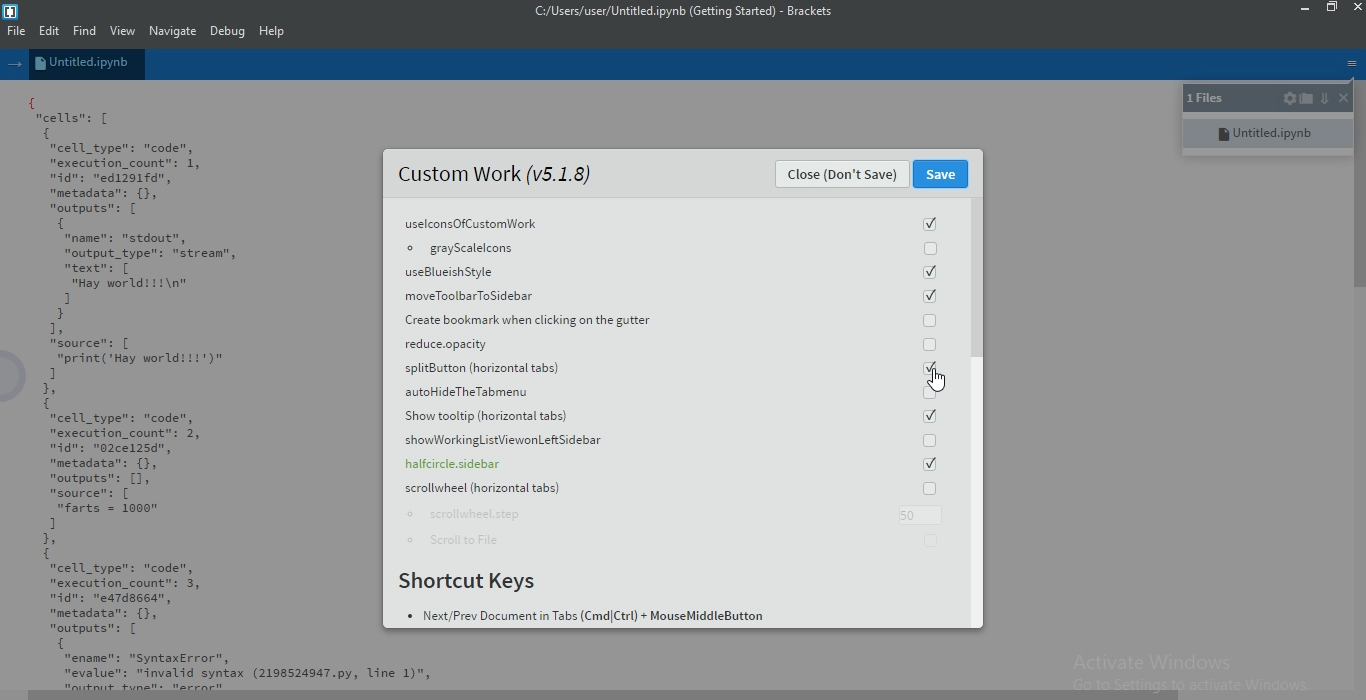 The height and width of the screenshot is (700, 1366). What do you see at coordinates (684, 346) in the screenshot?
I see `reduce.apacity ` at bounding box center [684, 346].